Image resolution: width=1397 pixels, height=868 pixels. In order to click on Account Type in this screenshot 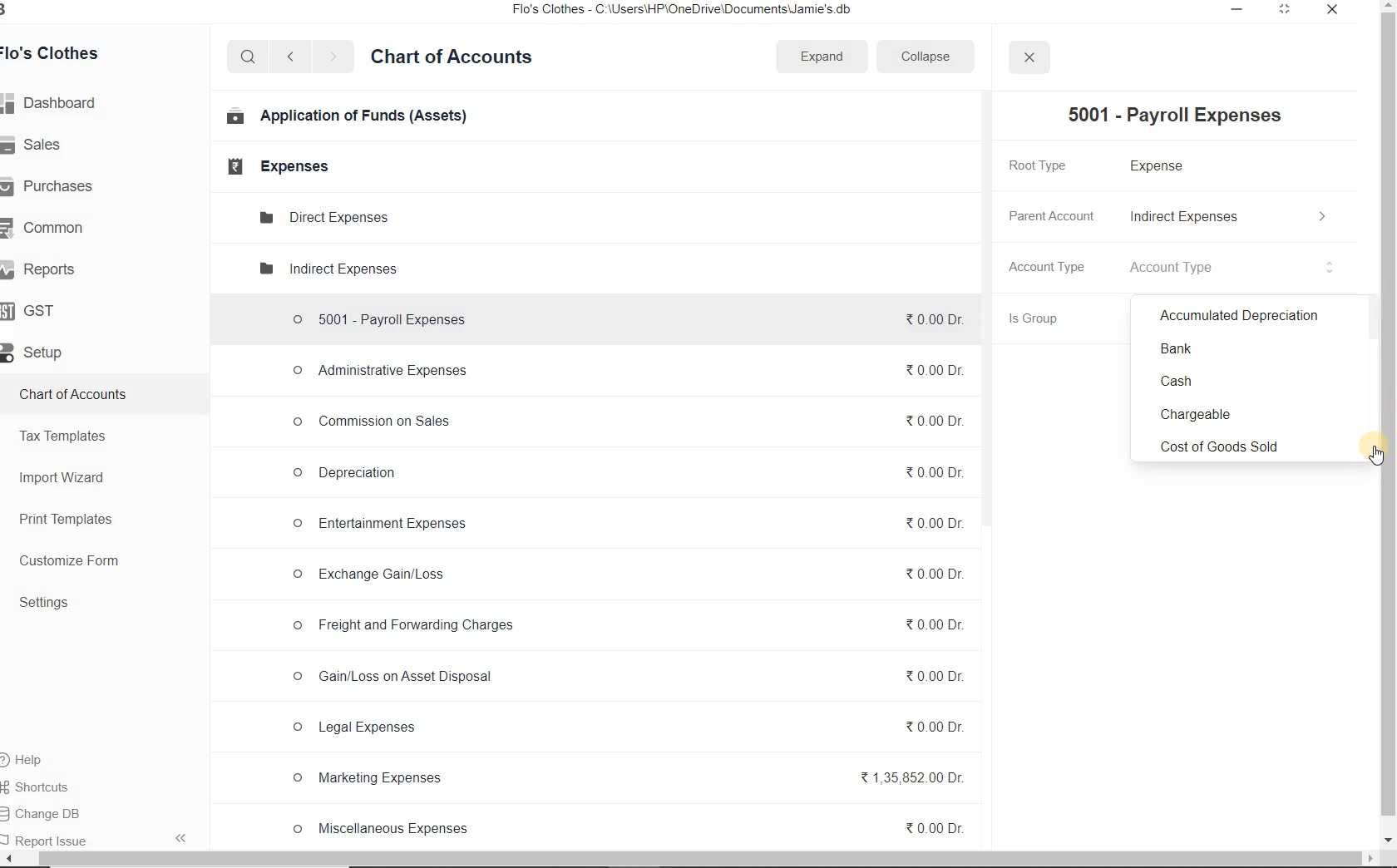, I will do `click(1051, 266)`.